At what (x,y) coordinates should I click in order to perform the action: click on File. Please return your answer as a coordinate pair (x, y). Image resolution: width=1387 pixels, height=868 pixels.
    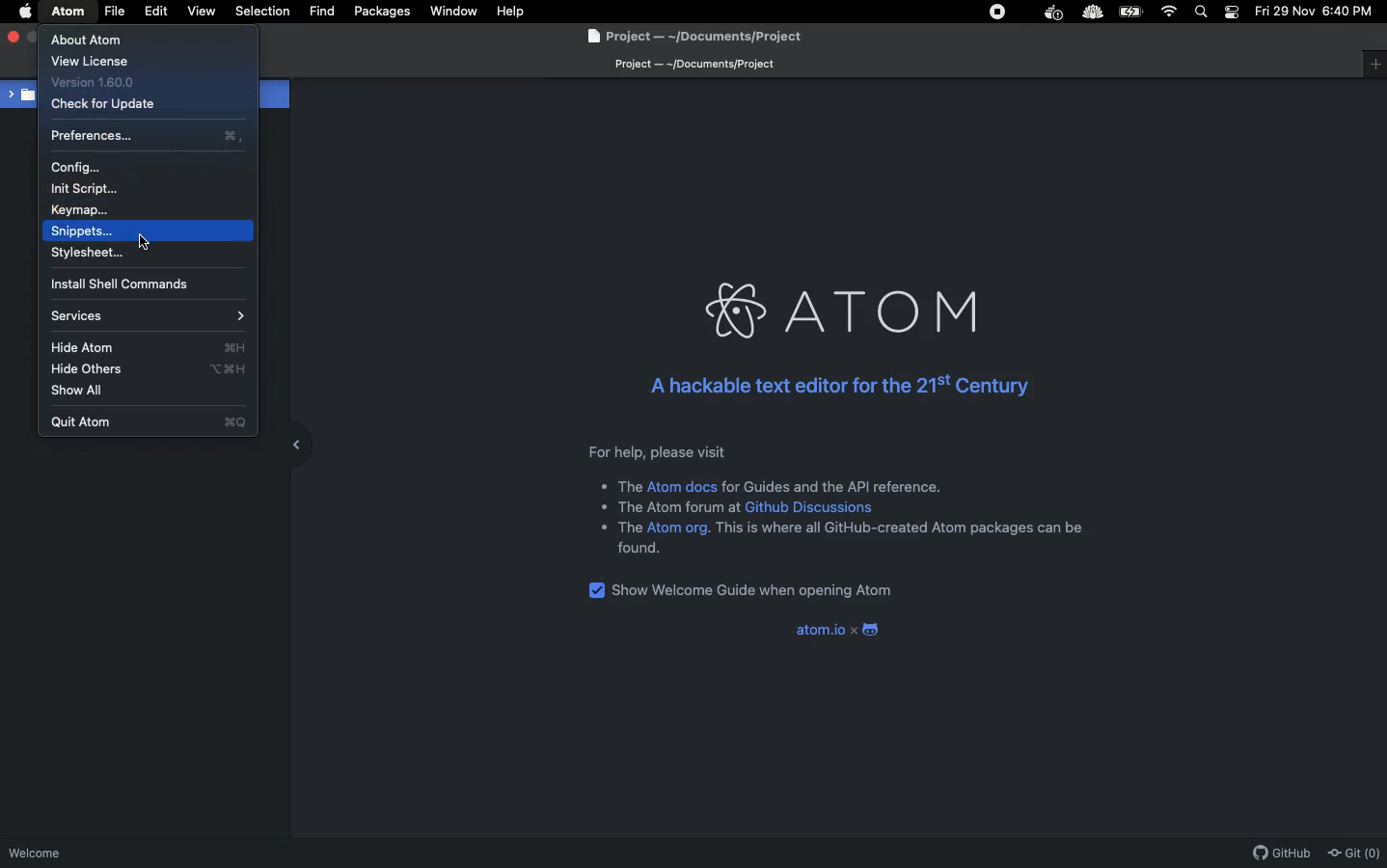
    Looking at the image, I should click on (115, 12).